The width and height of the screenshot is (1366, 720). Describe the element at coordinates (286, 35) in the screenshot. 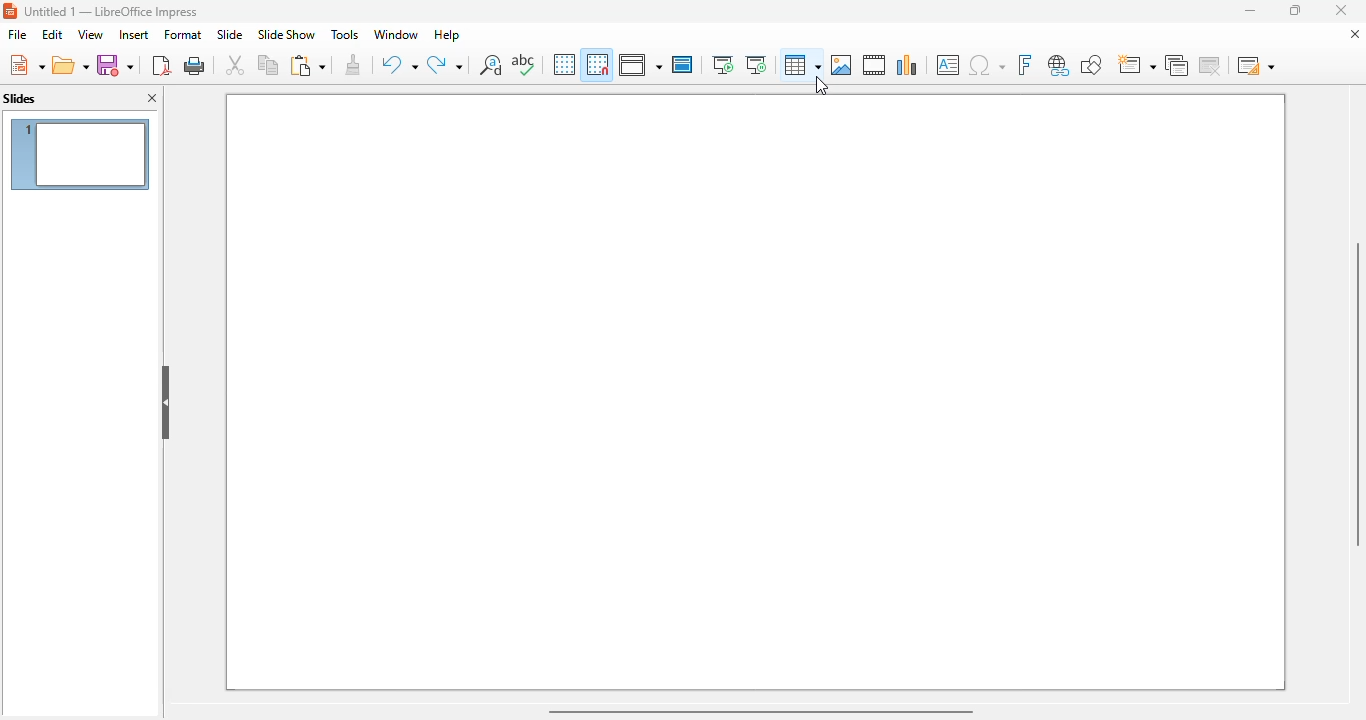

I see `slide show` at that location.